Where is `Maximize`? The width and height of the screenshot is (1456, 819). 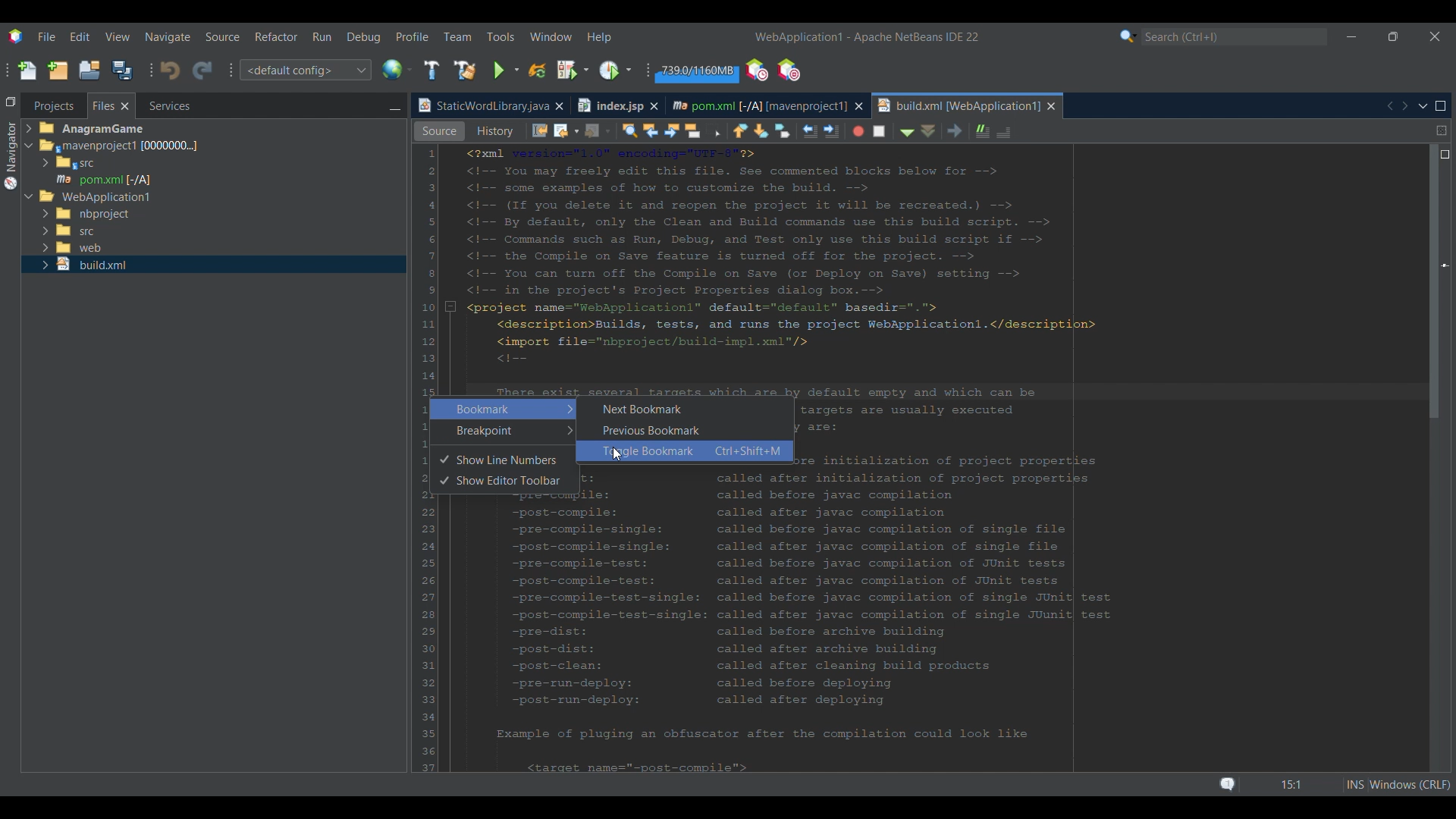 Maximize is located at coordinates (1441, 106).